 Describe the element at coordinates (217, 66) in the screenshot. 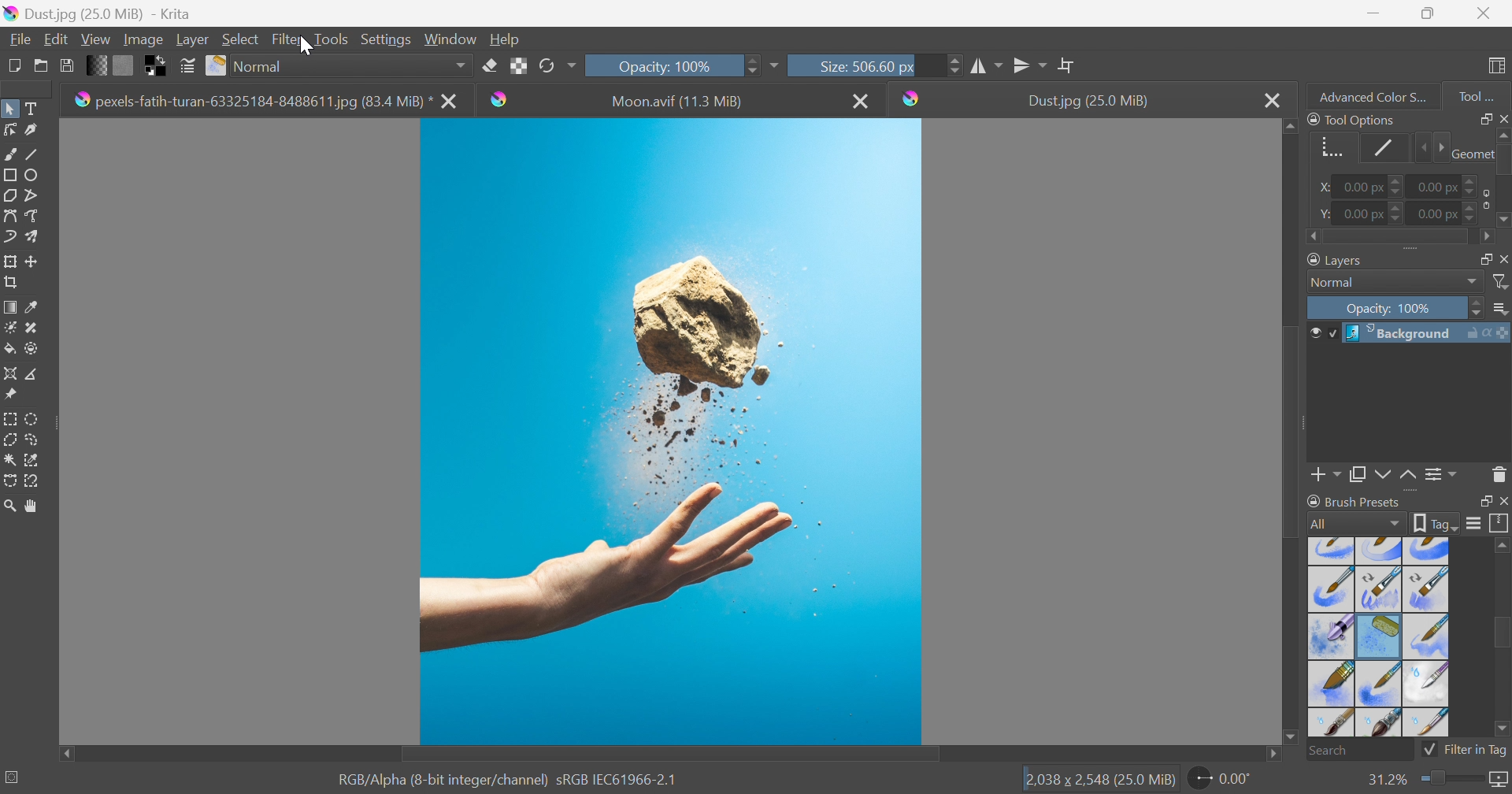

I see `Choose brush preset` at that location.